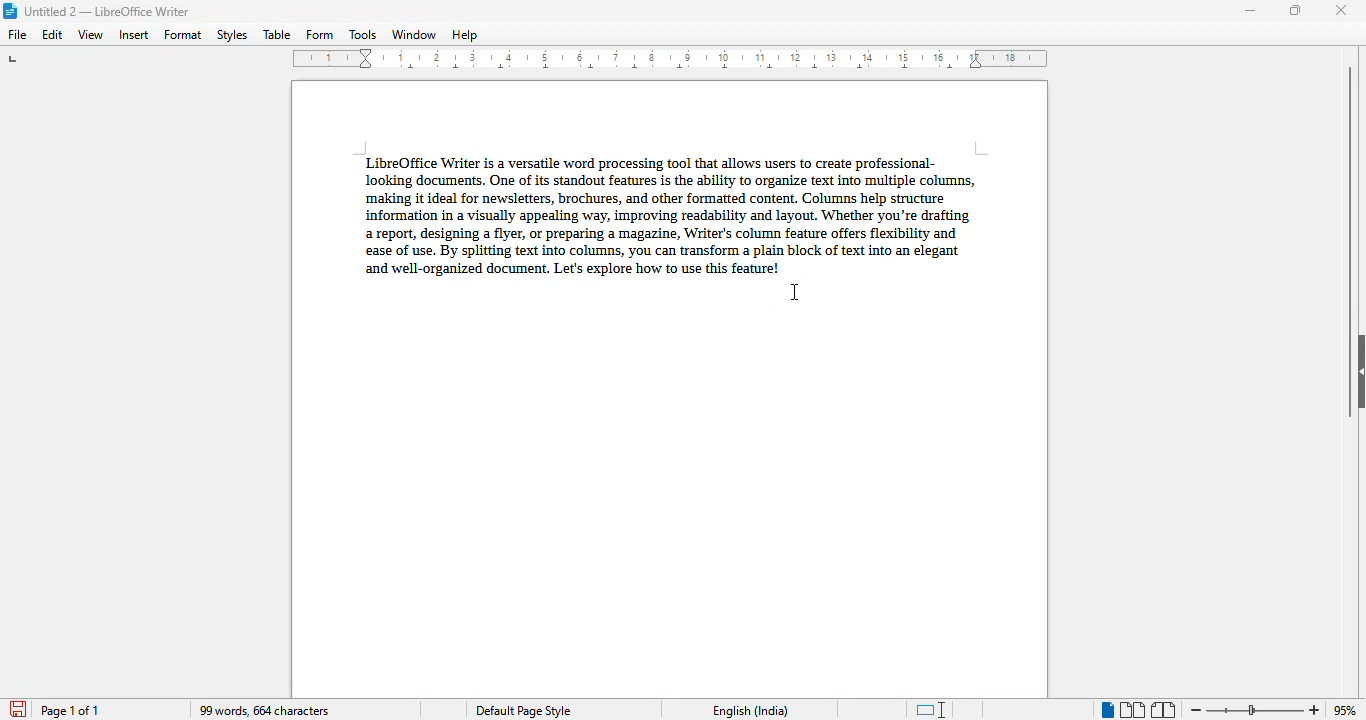 The width and height of the screenshot is (1366, 720). I want to click on single-page view, so click(1106, 710).